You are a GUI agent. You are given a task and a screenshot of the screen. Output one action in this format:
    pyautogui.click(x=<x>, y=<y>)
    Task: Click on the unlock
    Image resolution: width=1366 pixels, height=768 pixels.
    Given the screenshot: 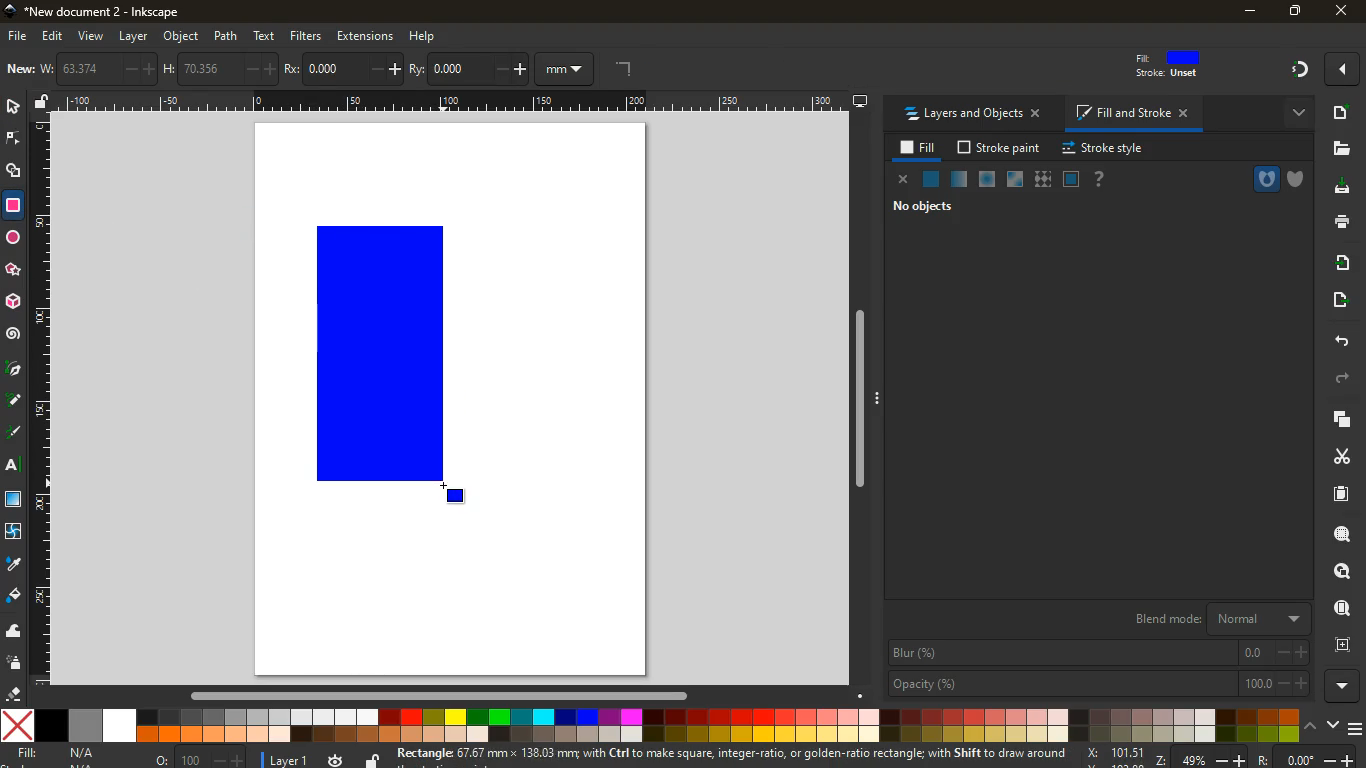 What is the action you would take?
    pyautogui.click(x=374, y=760)
    